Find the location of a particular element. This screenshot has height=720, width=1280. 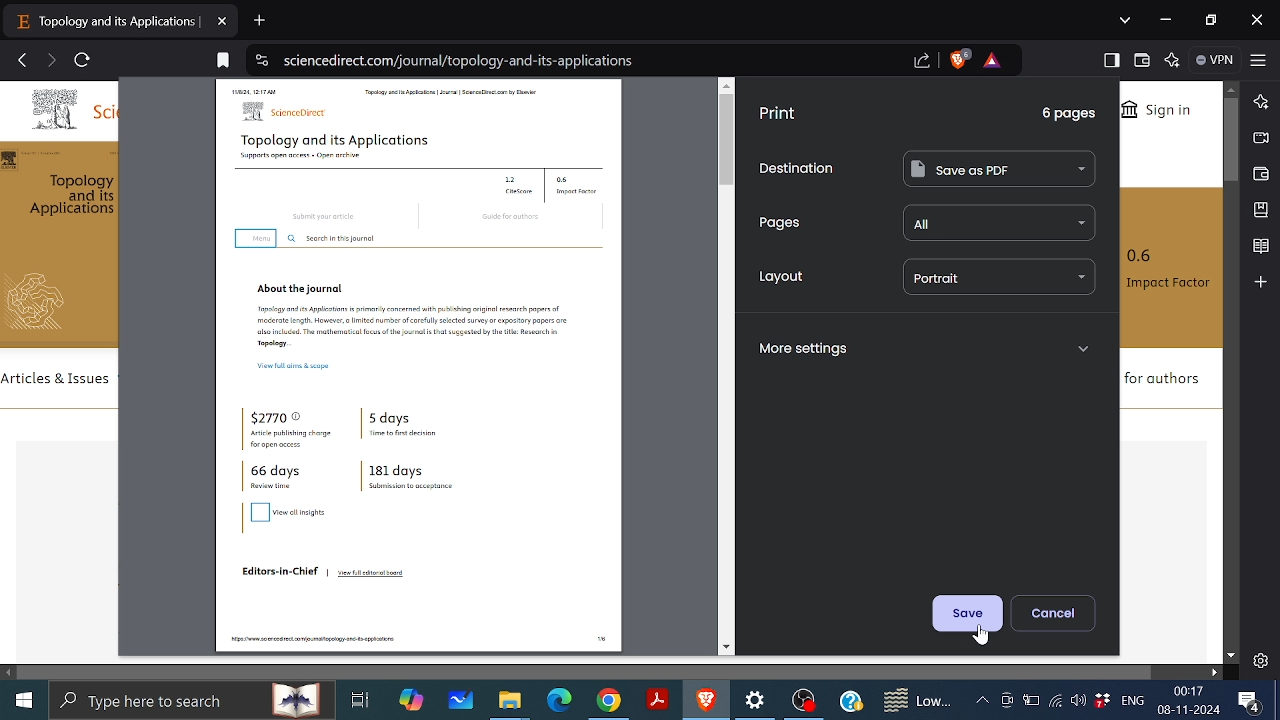

Move up is located at coordinates (1233, 89).